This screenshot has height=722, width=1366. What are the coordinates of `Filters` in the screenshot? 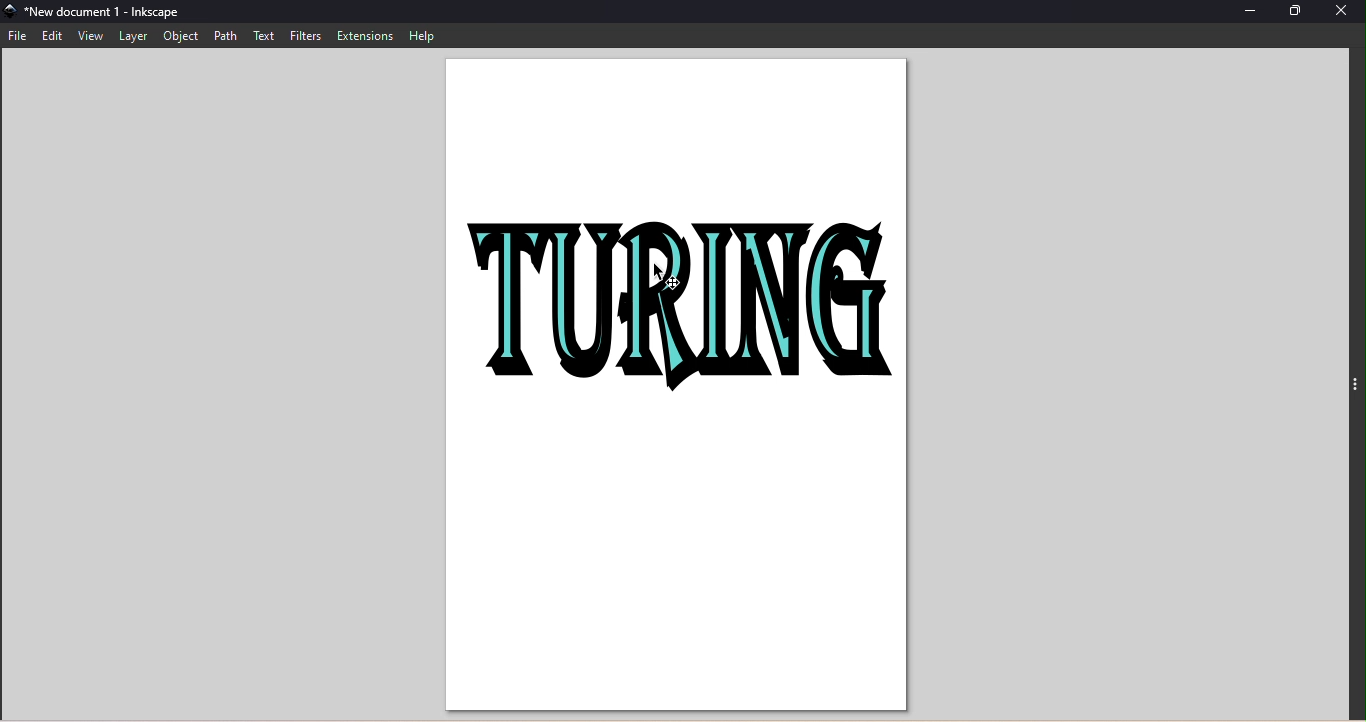 It's located at (302, 36).